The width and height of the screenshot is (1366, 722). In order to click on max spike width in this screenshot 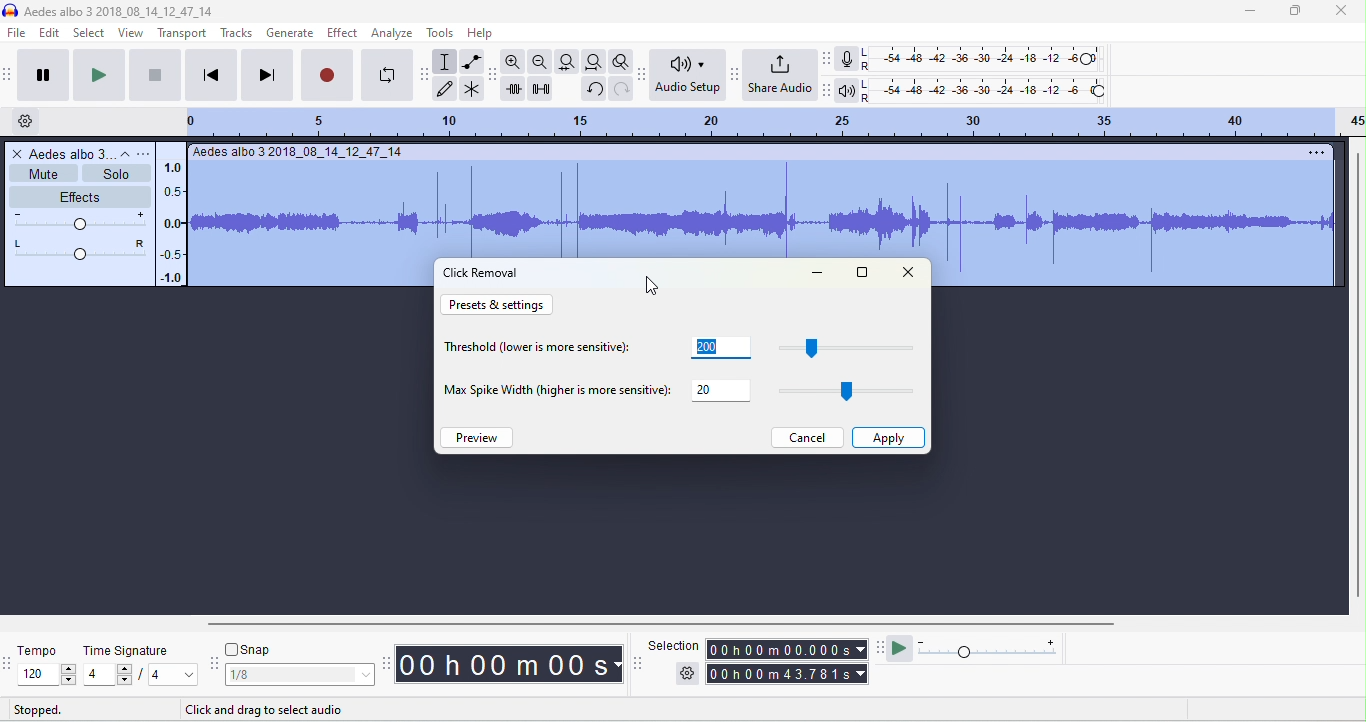, I will do `click(561, 389)`.